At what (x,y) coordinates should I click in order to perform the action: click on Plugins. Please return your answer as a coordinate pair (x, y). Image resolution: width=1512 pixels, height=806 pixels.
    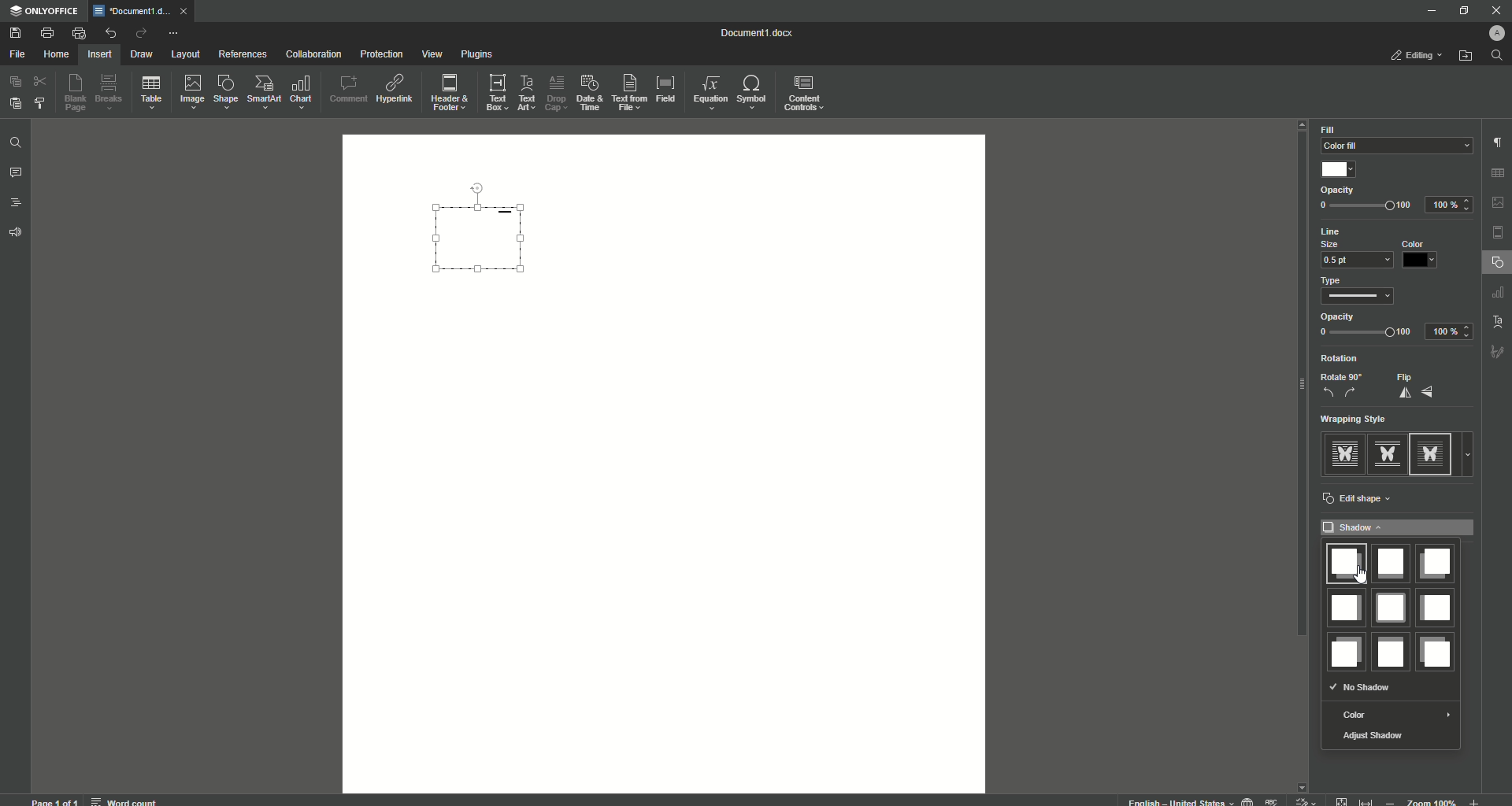
    Looking at the image, I should click on (478, 55).